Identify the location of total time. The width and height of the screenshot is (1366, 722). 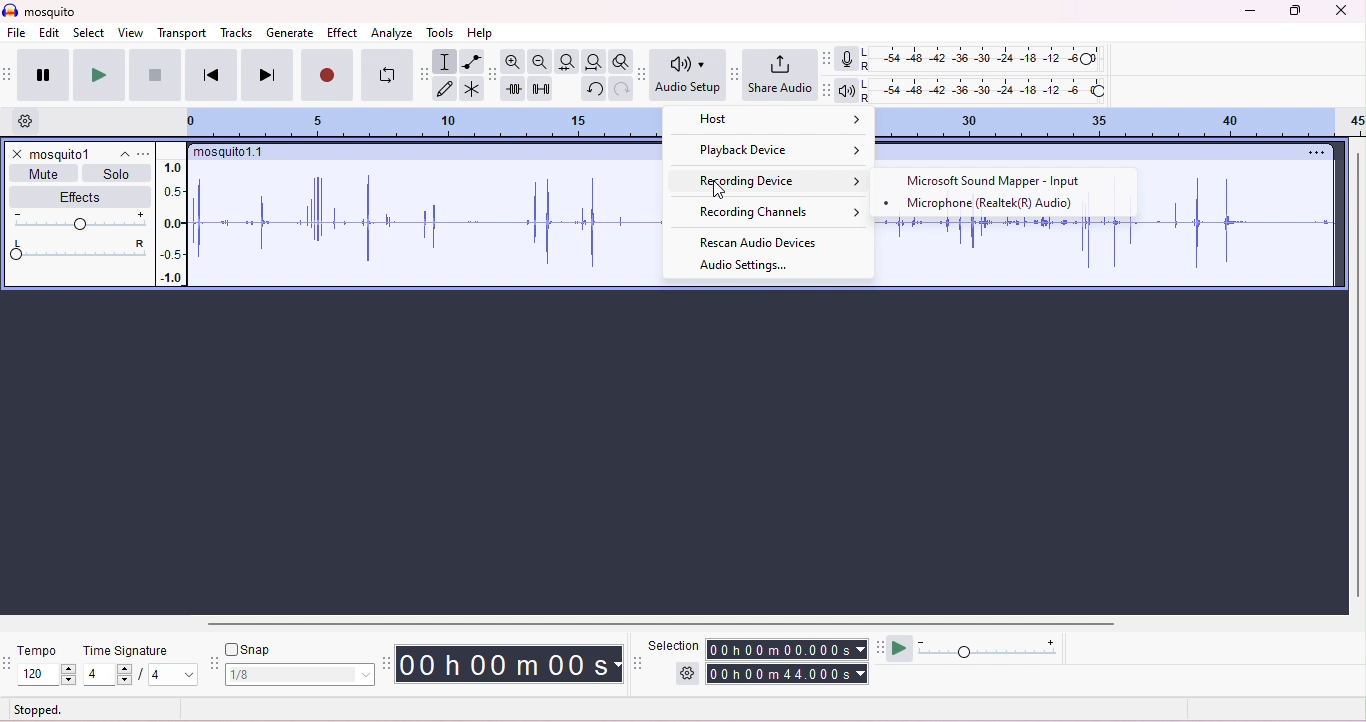
(787, 674).